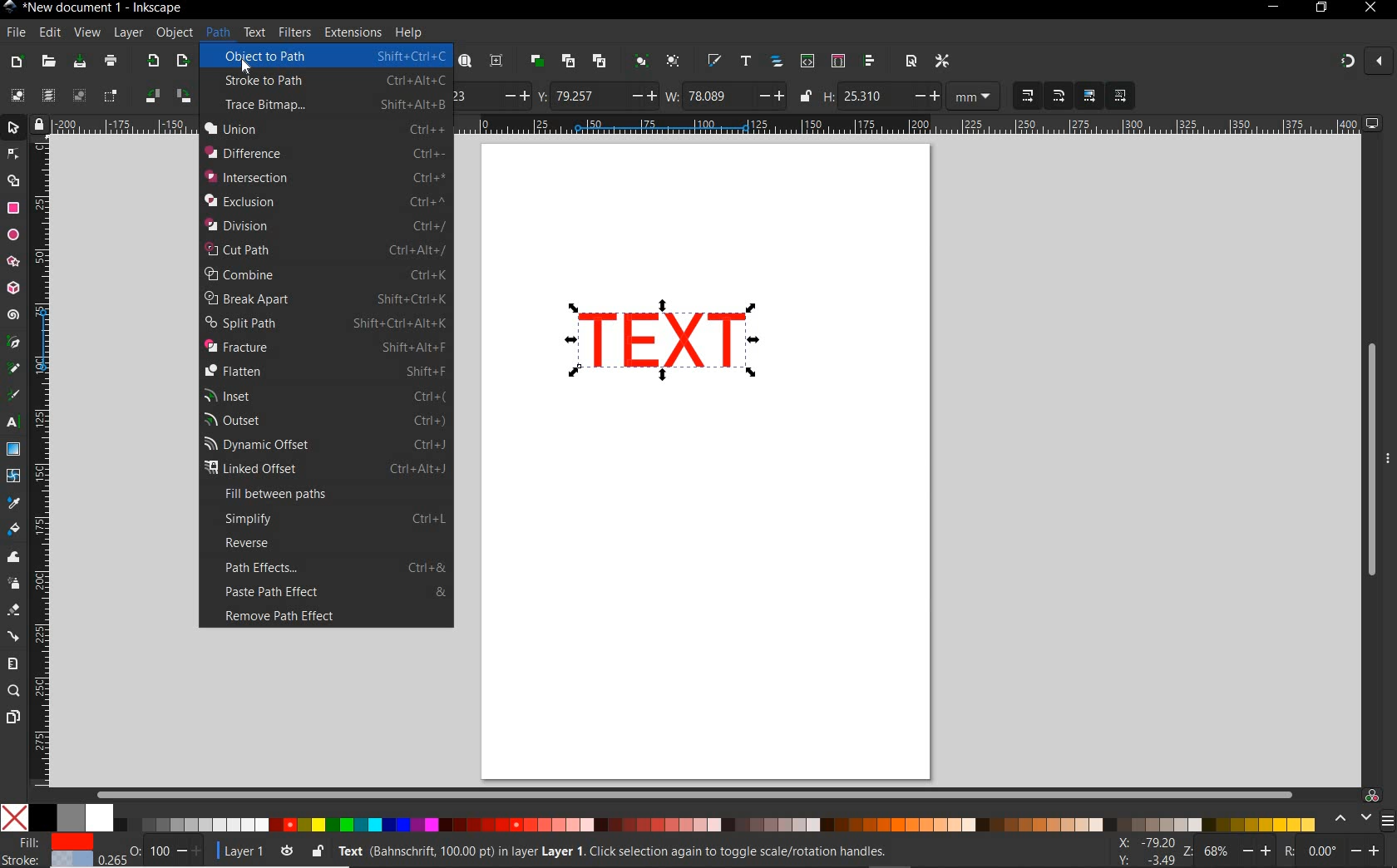 The image size is (1397, 868). I want to click on PEN TOOL, so click(14, 343).